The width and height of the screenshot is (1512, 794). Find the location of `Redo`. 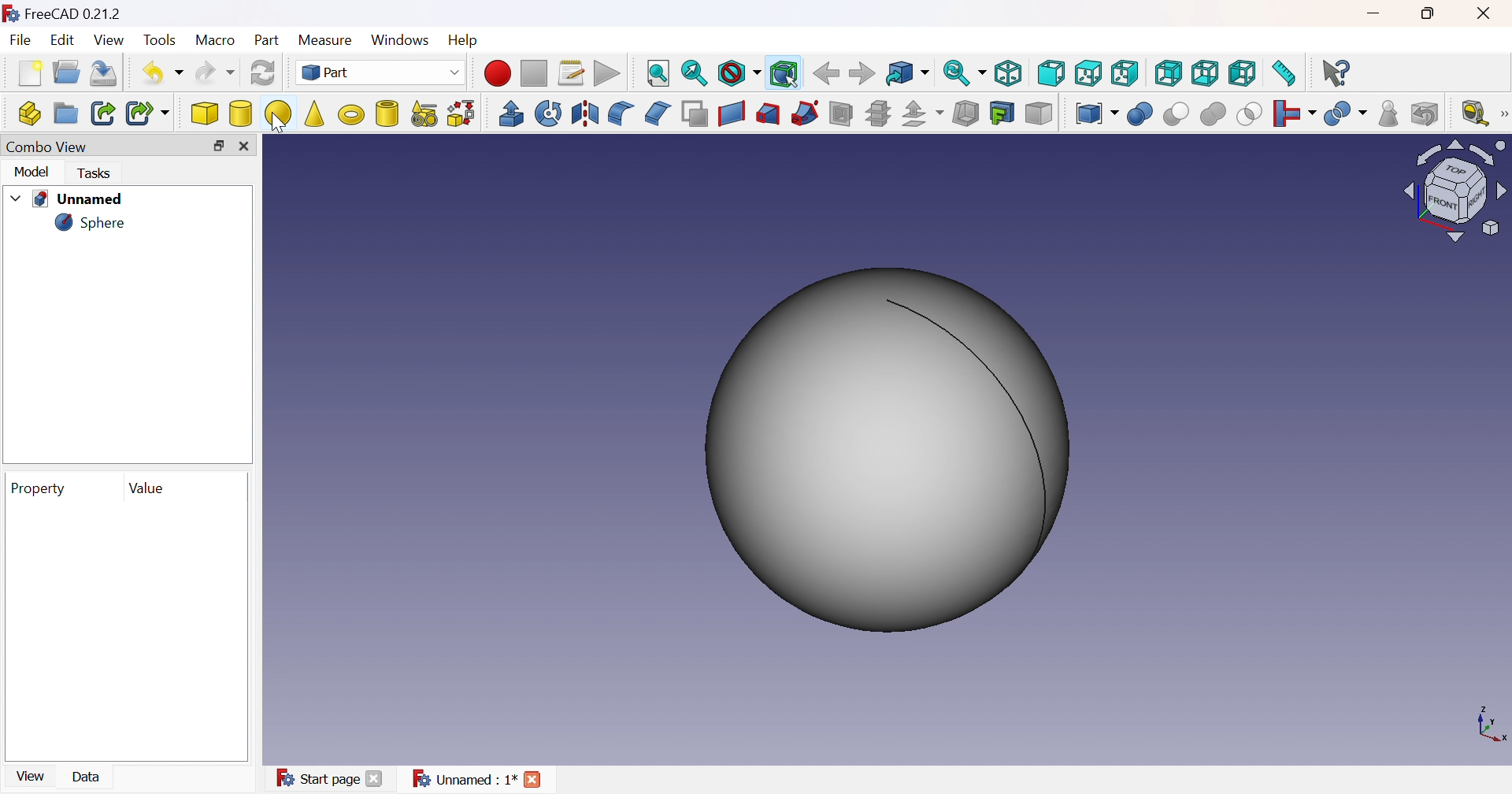

Redo is located at coordinates (216, 72).